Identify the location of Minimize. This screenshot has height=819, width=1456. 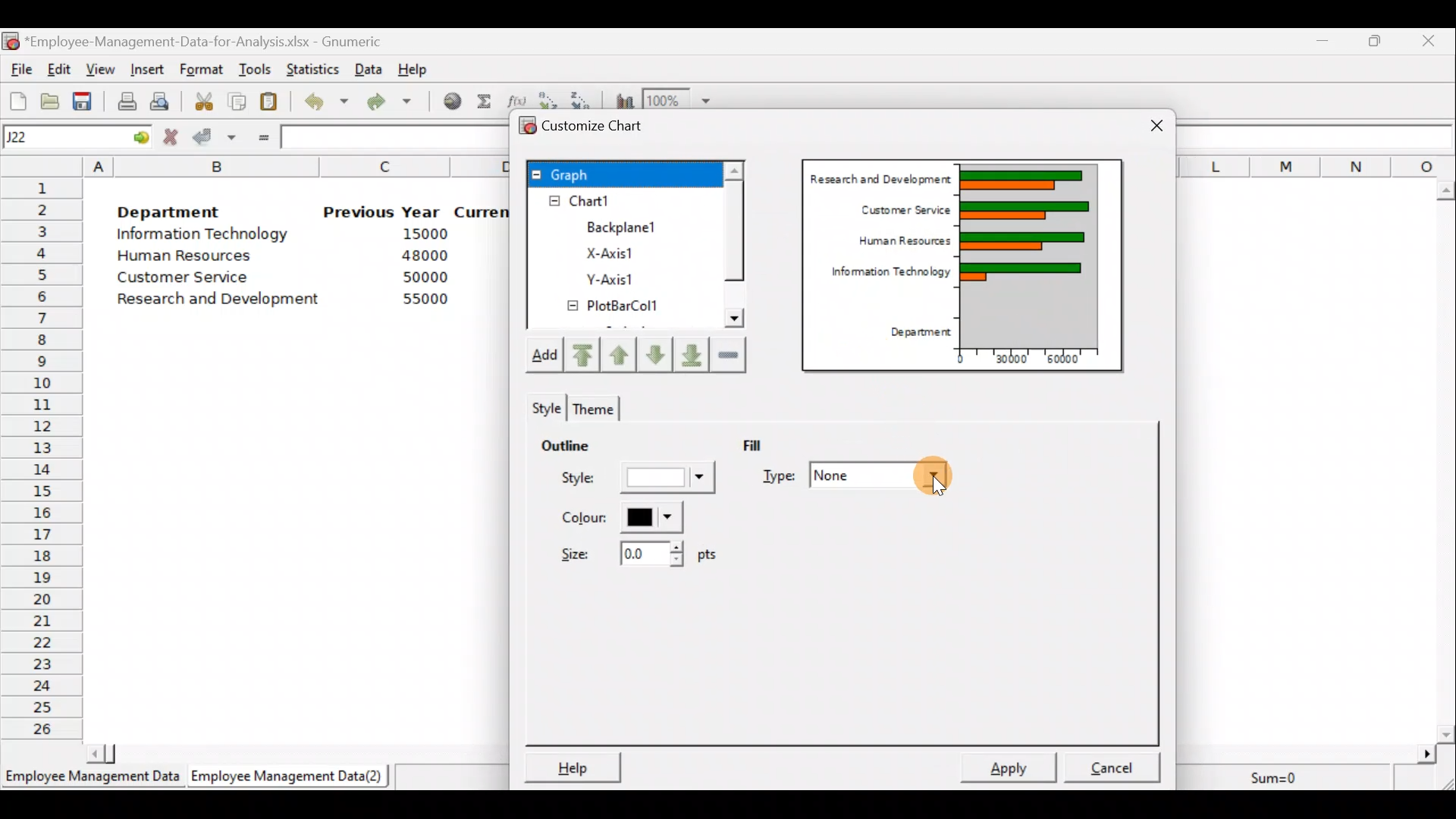
(1323, 40).